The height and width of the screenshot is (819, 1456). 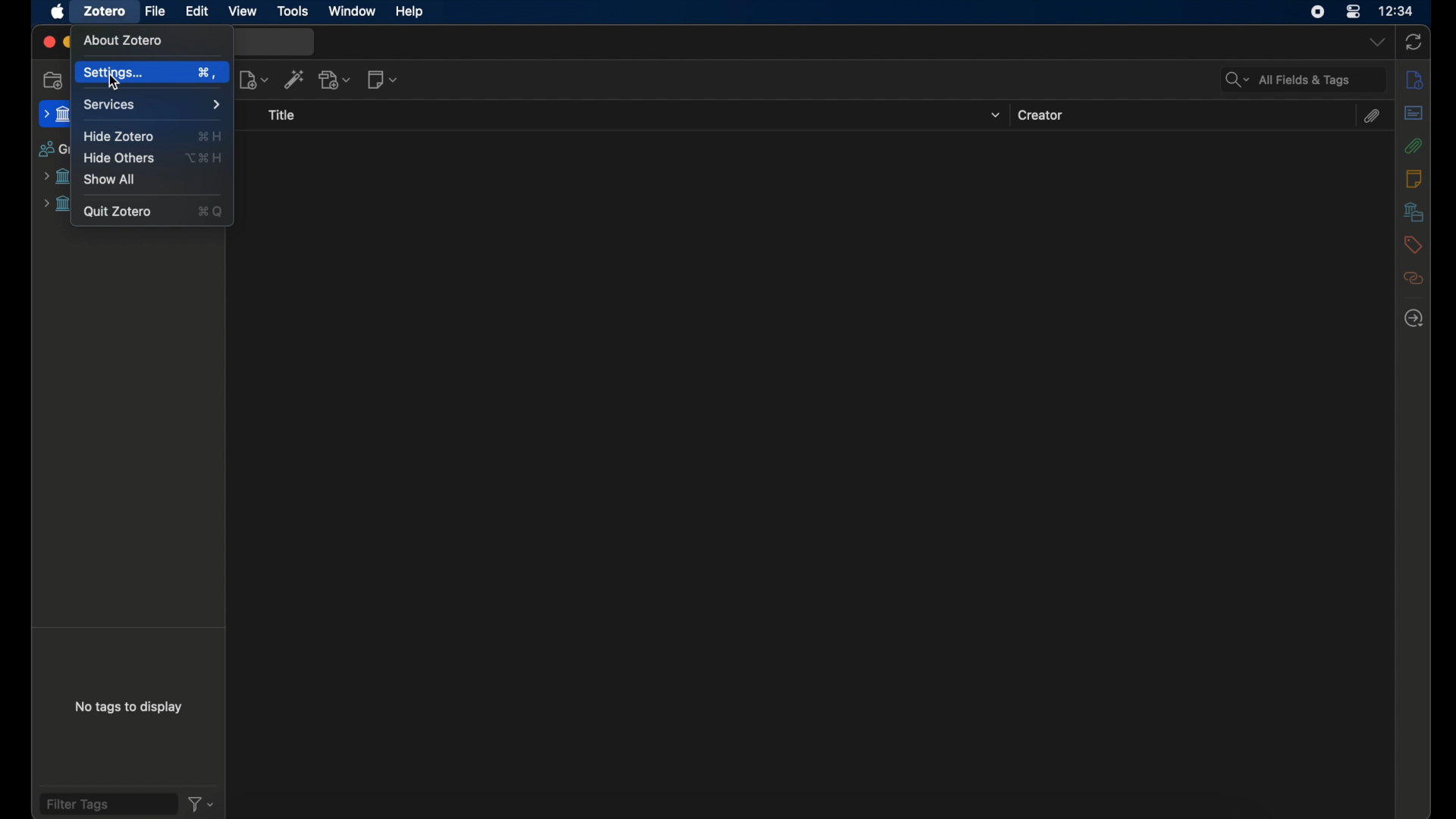 I want to click on apple icon, so click(x=57, y=12).